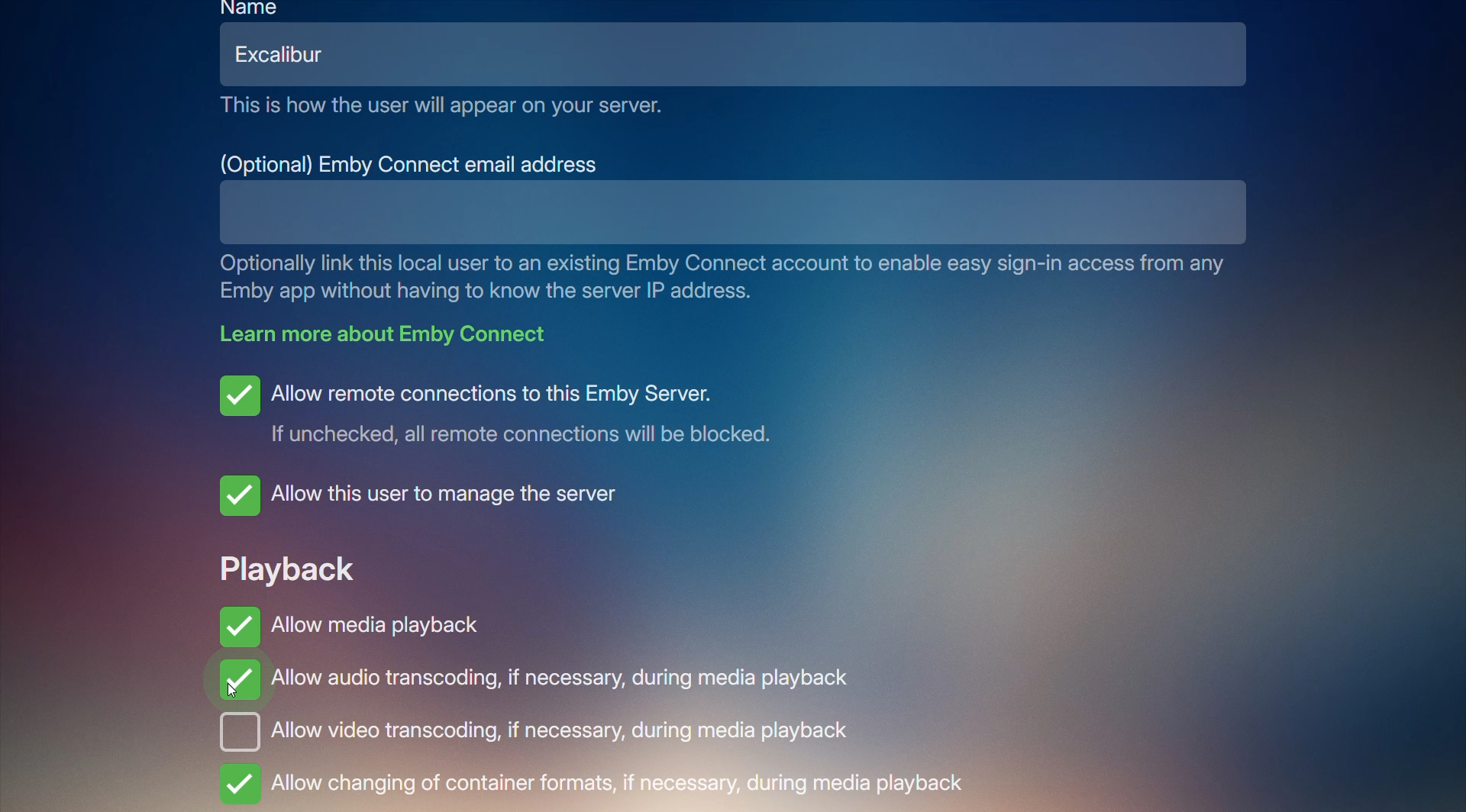 Image resolution: width=1466 pixels, height=812 pixels. Describe the element at coordinates (443, 106) in the screenshot. I see `This is how the user will appear on your server.` at that location.